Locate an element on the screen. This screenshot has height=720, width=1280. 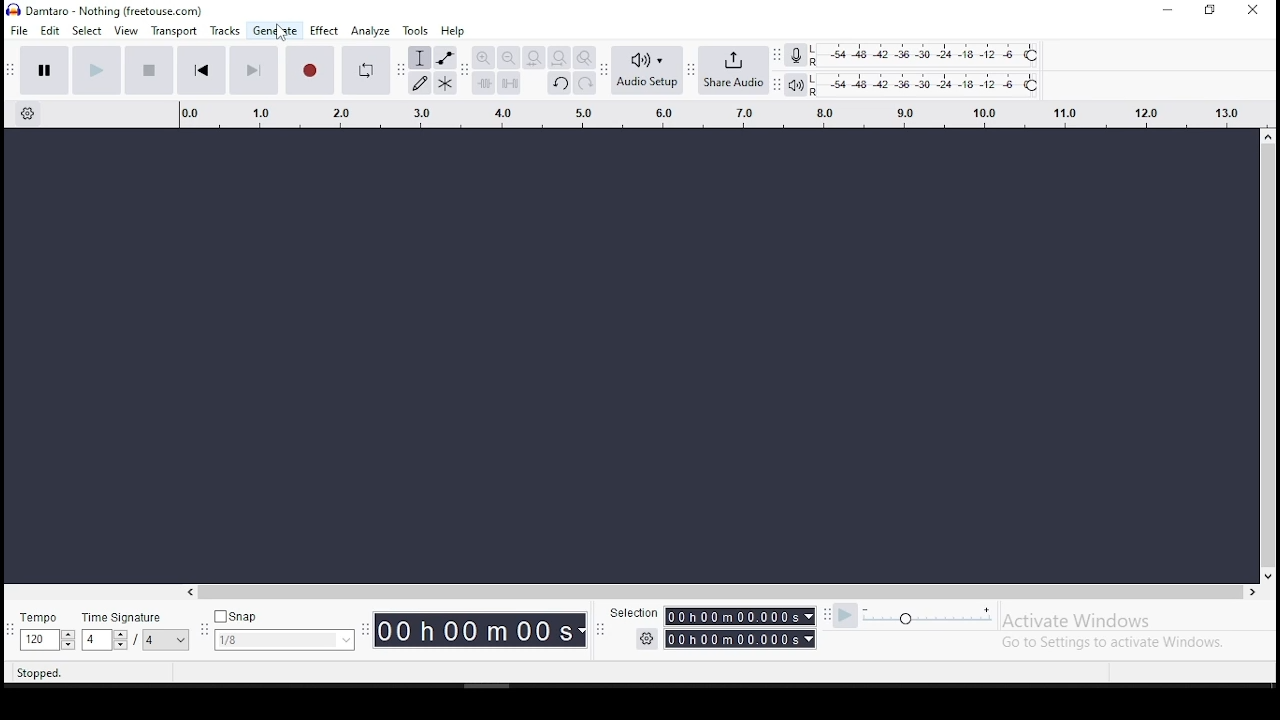
multi tool is located at coordinates (445, 83).